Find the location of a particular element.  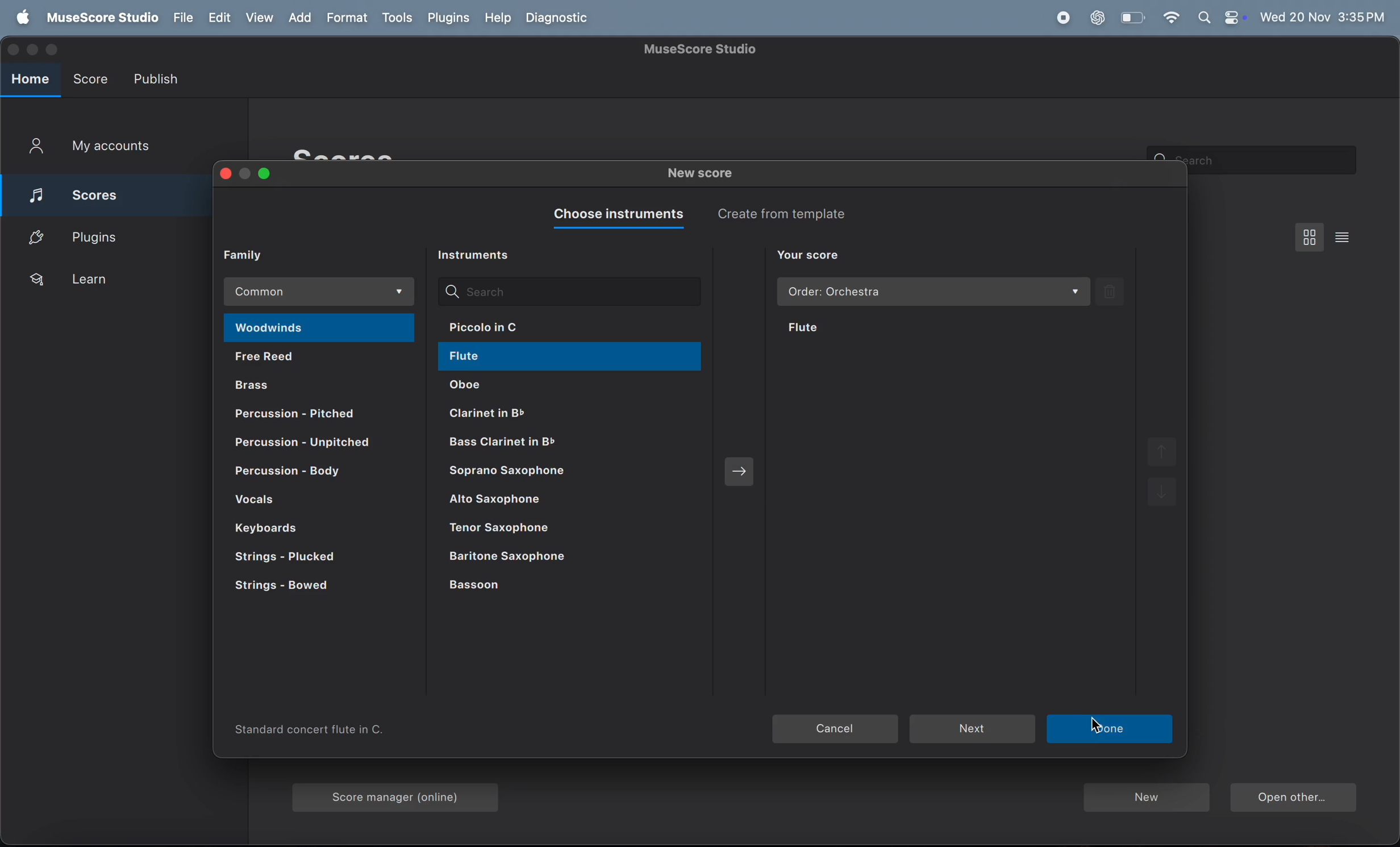

flute is located at coordinates (859, 329).